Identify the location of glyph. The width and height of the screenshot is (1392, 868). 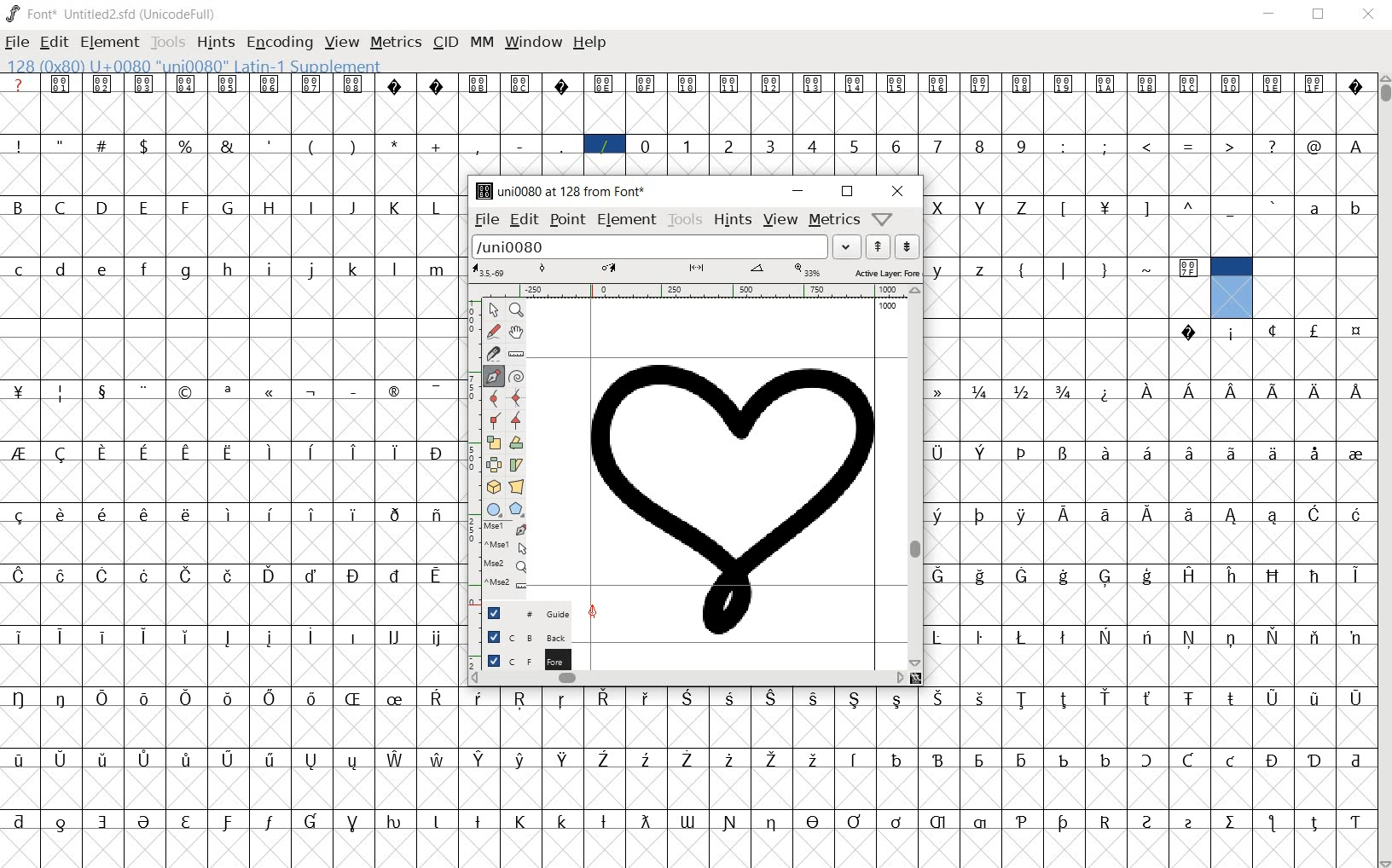
(1022, 822).